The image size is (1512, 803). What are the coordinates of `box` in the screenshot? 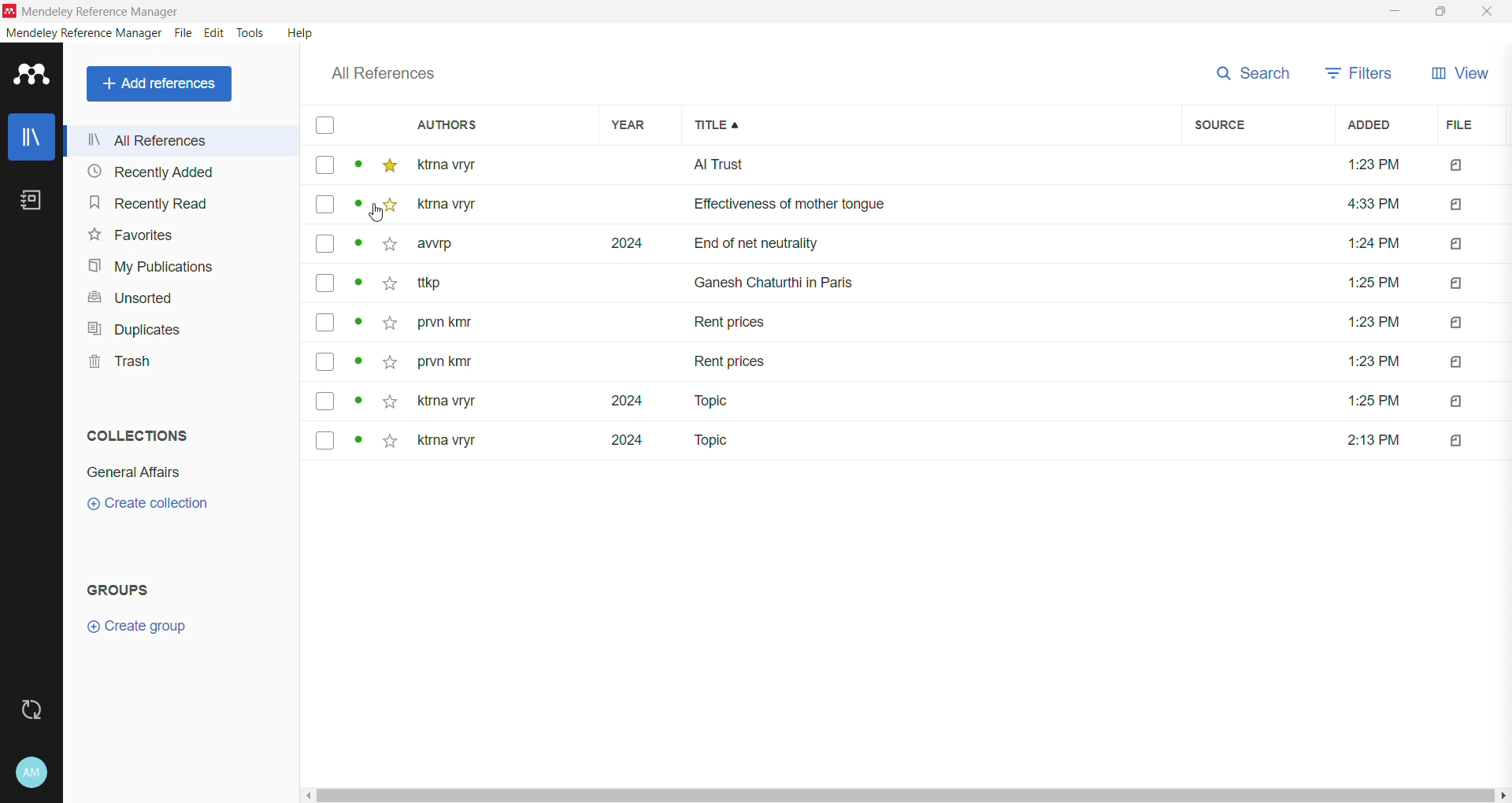 It's located at (324, 166).